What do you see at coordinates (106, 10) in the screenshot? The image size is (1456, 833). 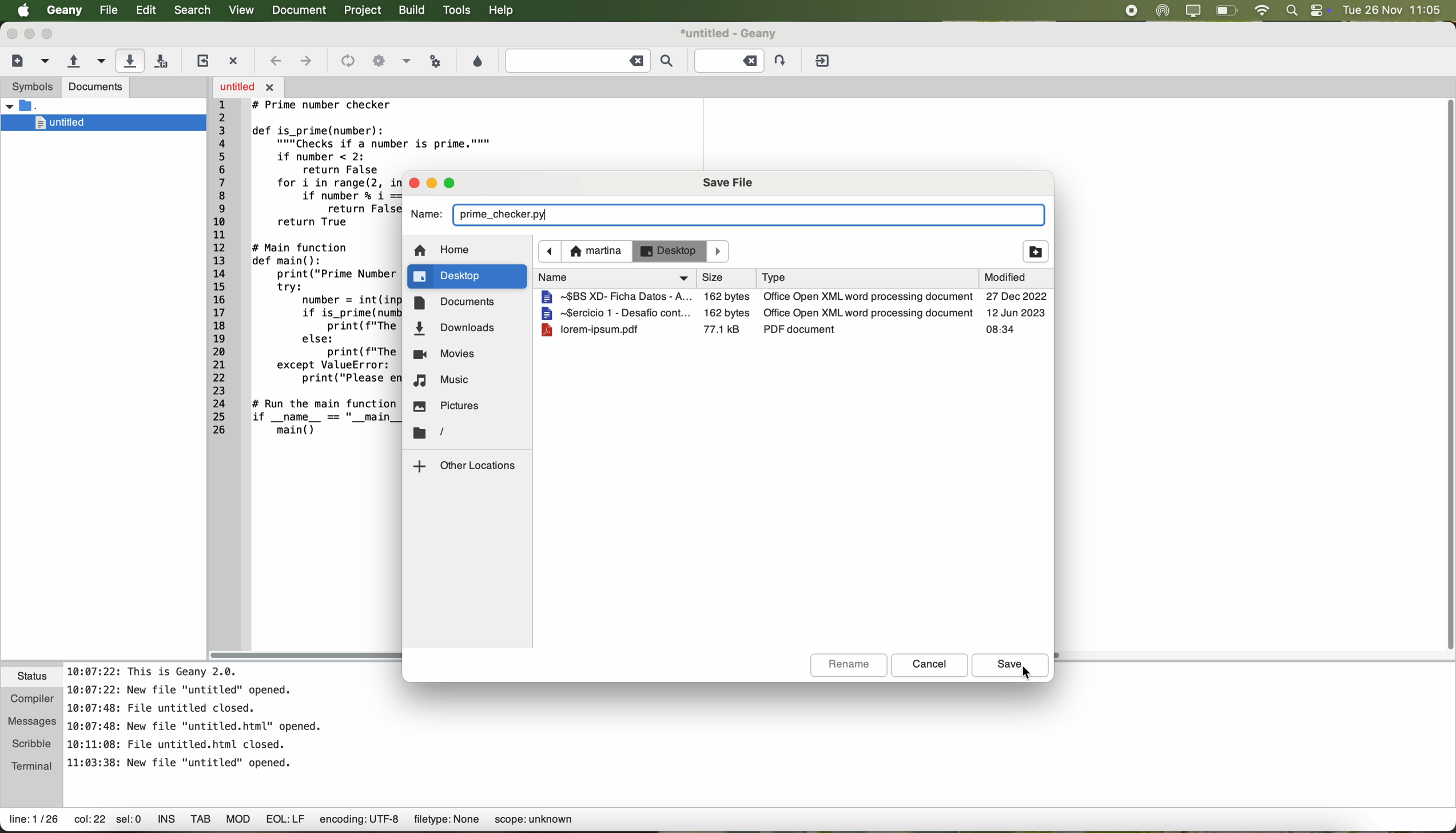 I see `file` at bounding box center [106, 10].